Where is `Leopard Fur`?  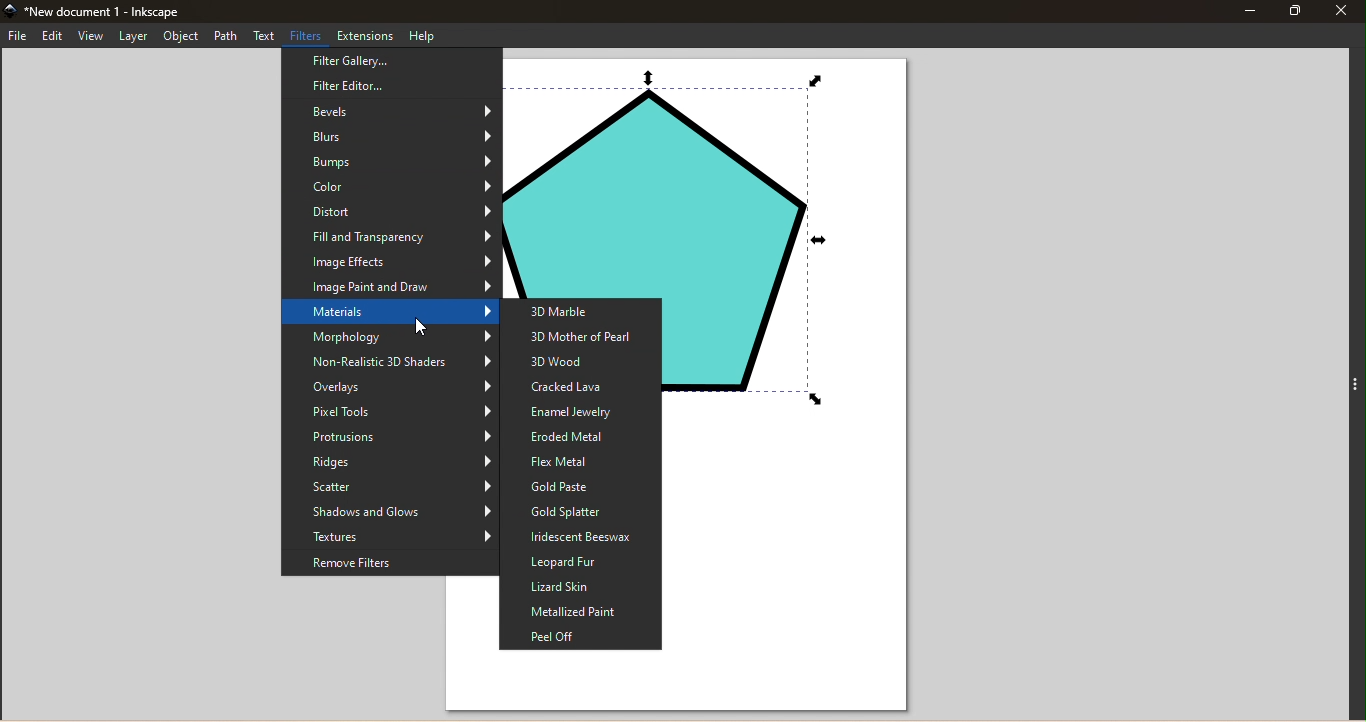
Leopard Fur is located at coordinates (580, 563).